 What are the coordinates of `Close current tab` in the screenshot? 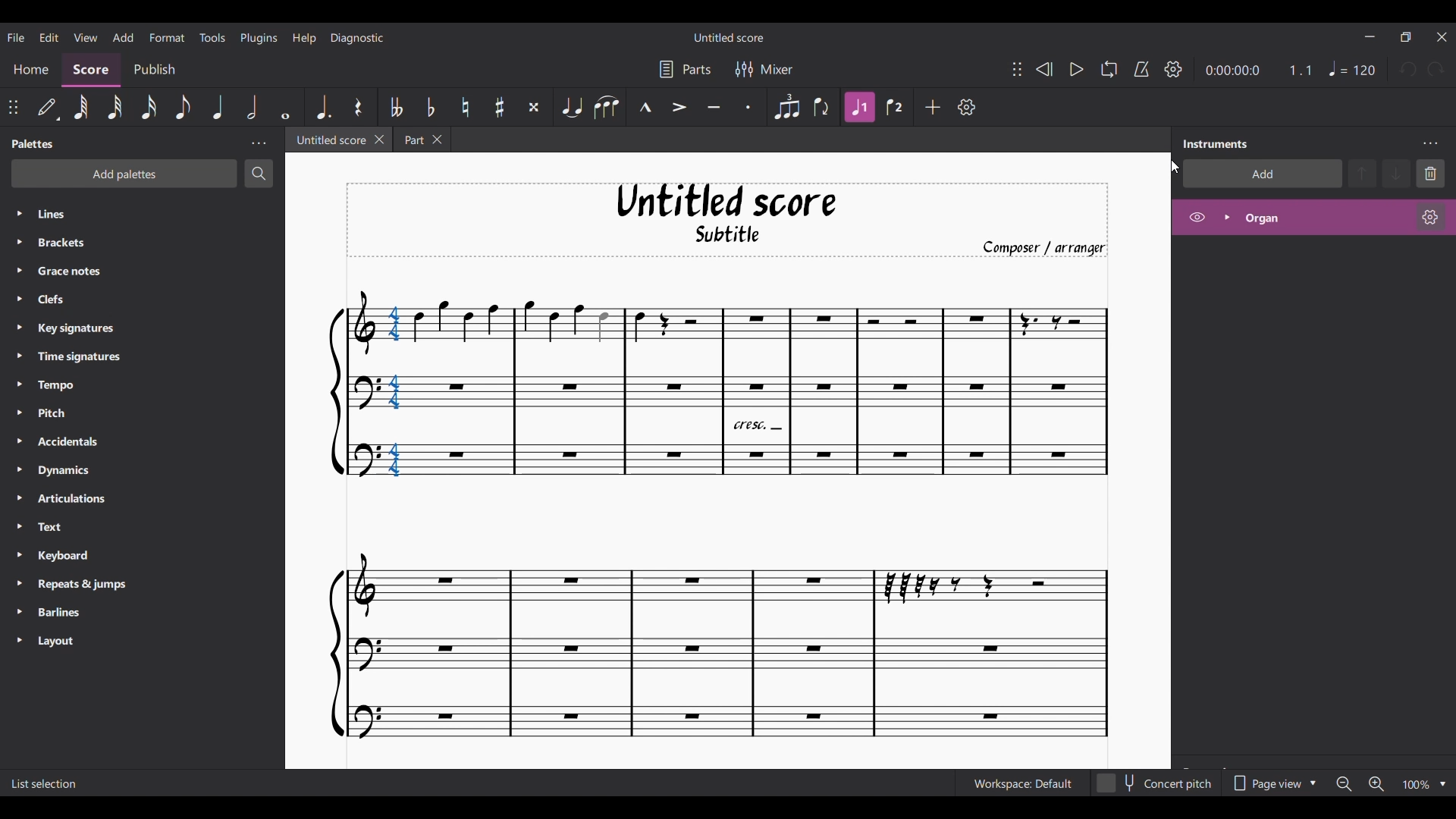 It's located at (379, 140).